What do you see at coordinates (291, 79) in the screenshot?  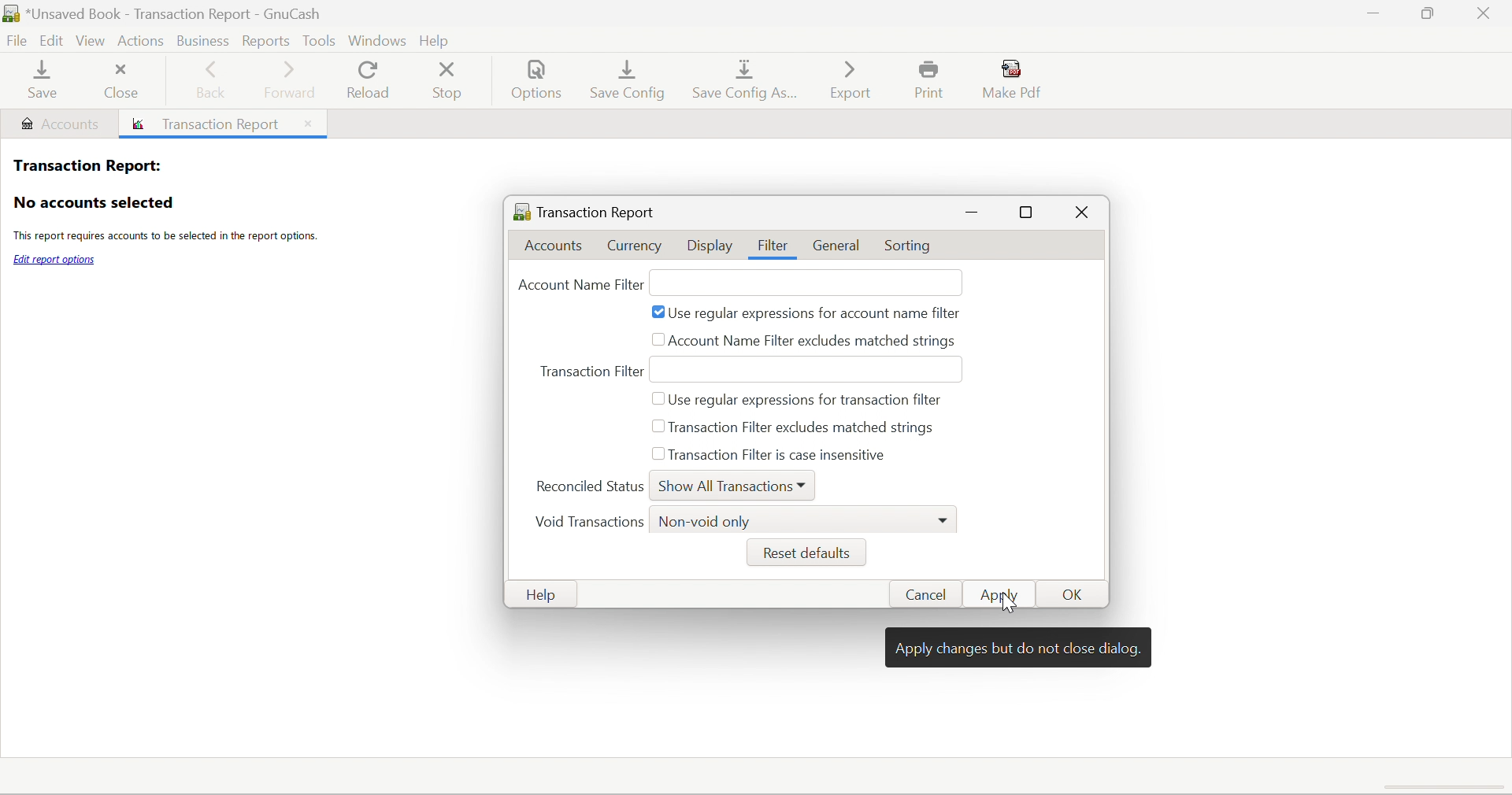 I see `Forward` at bounding box center [291, 79].